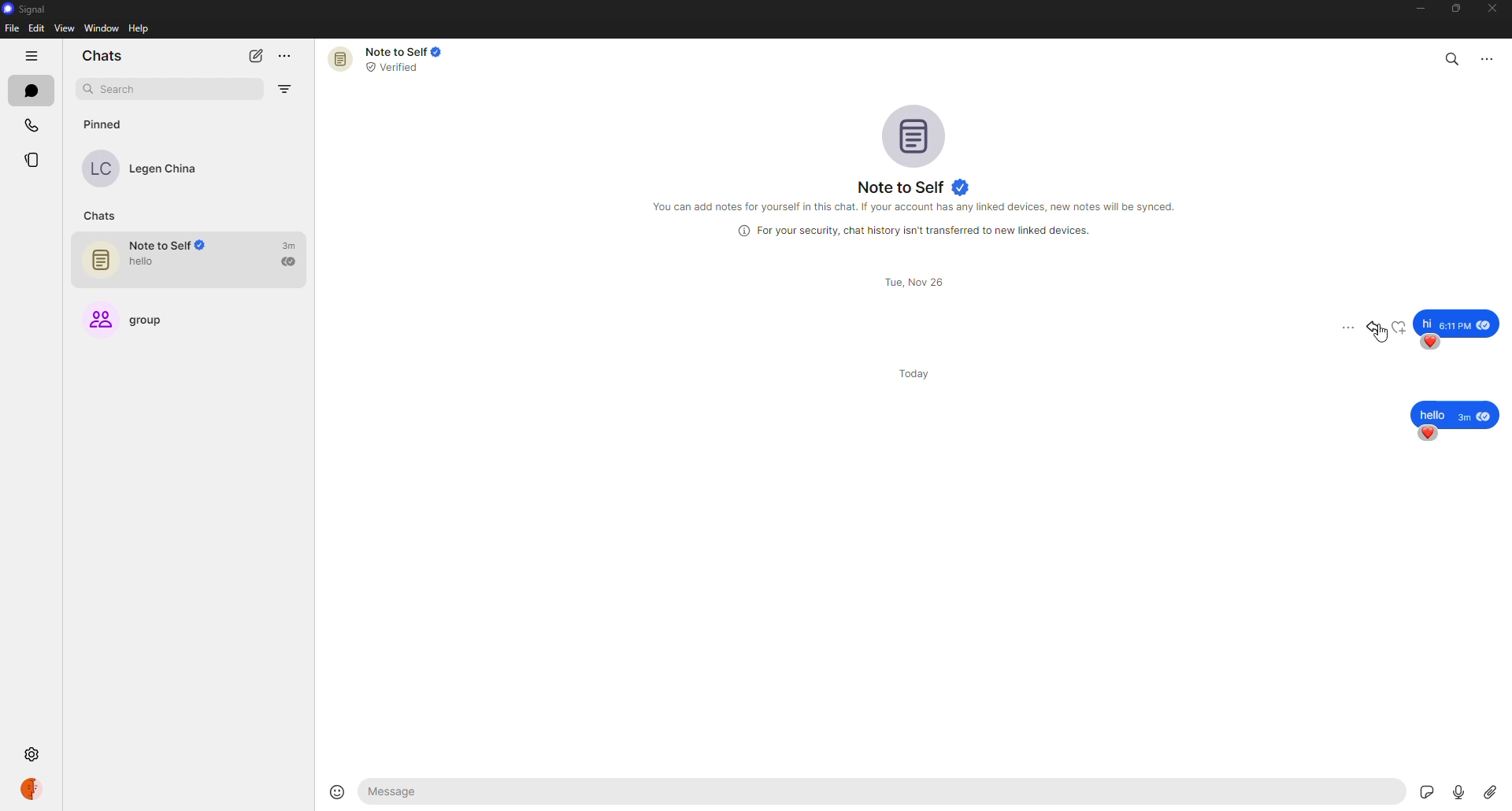 The image size is (1512, 811). Describe the element at coordinates (101, 28) in the screenshot. I see `window` at that location.